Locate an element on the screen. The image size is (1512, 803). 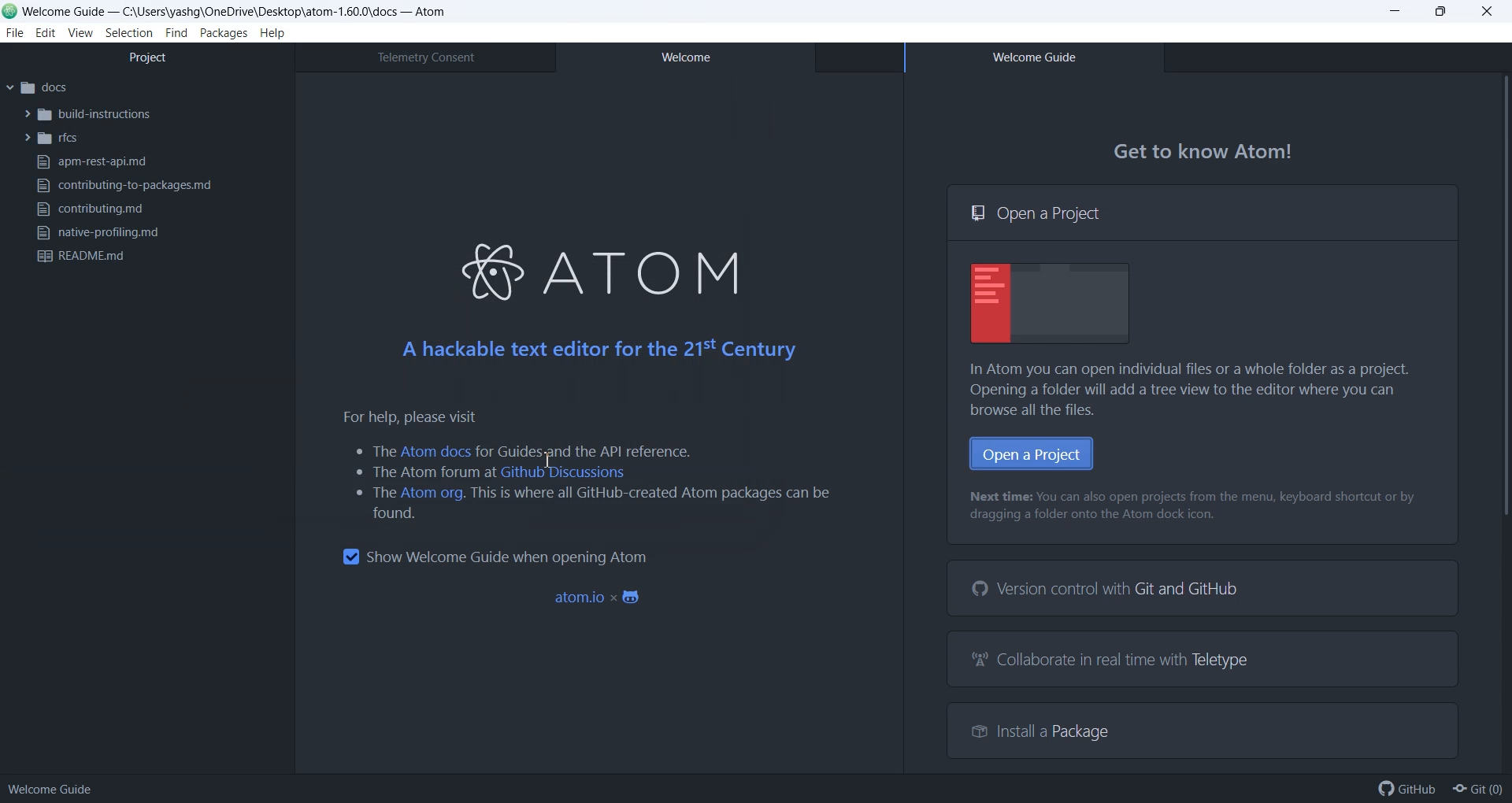
apm-rest-api.md is located at coordinates (91, 161).